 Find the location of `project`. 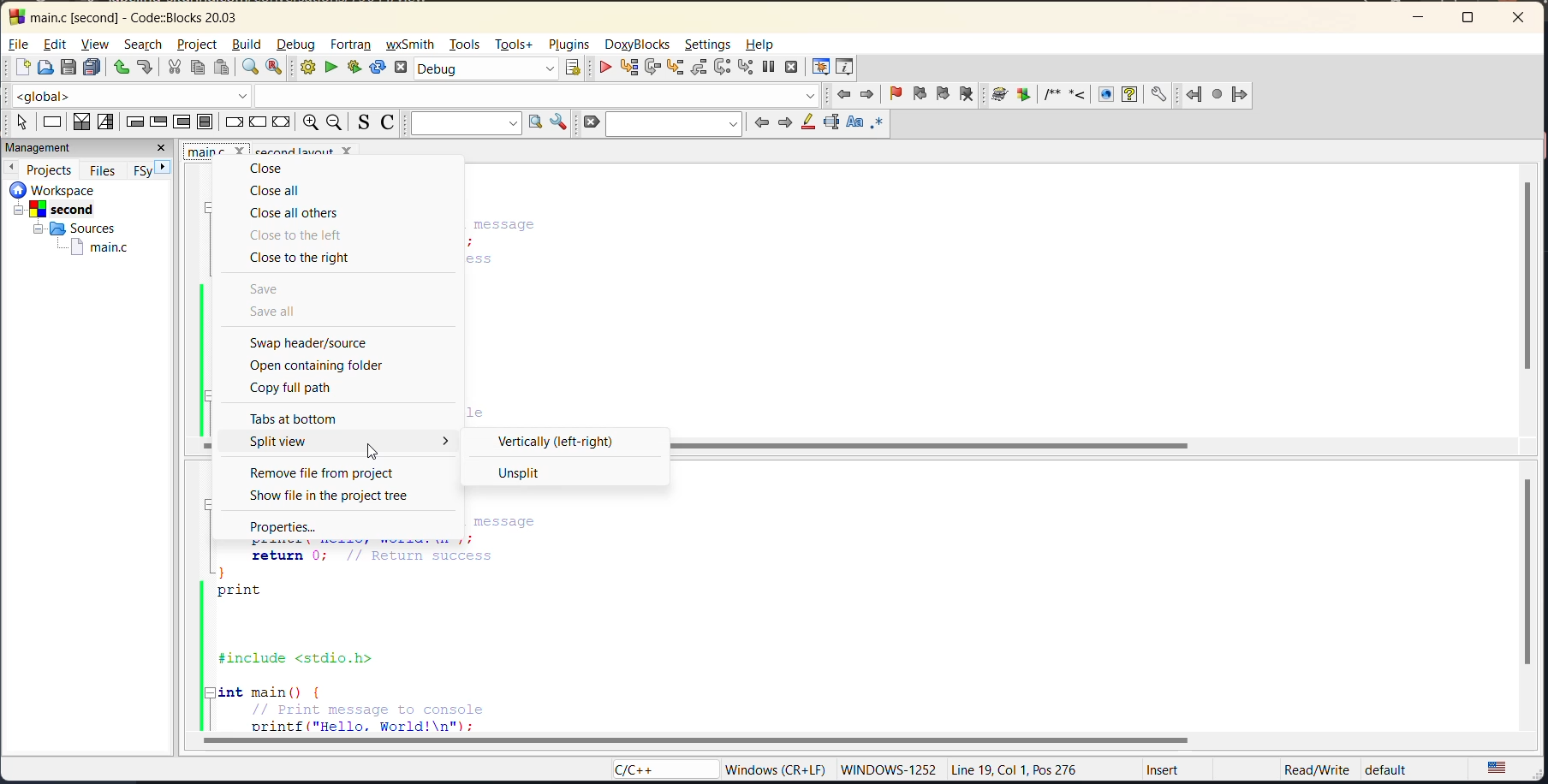

project is located at coordinates (199, 43).